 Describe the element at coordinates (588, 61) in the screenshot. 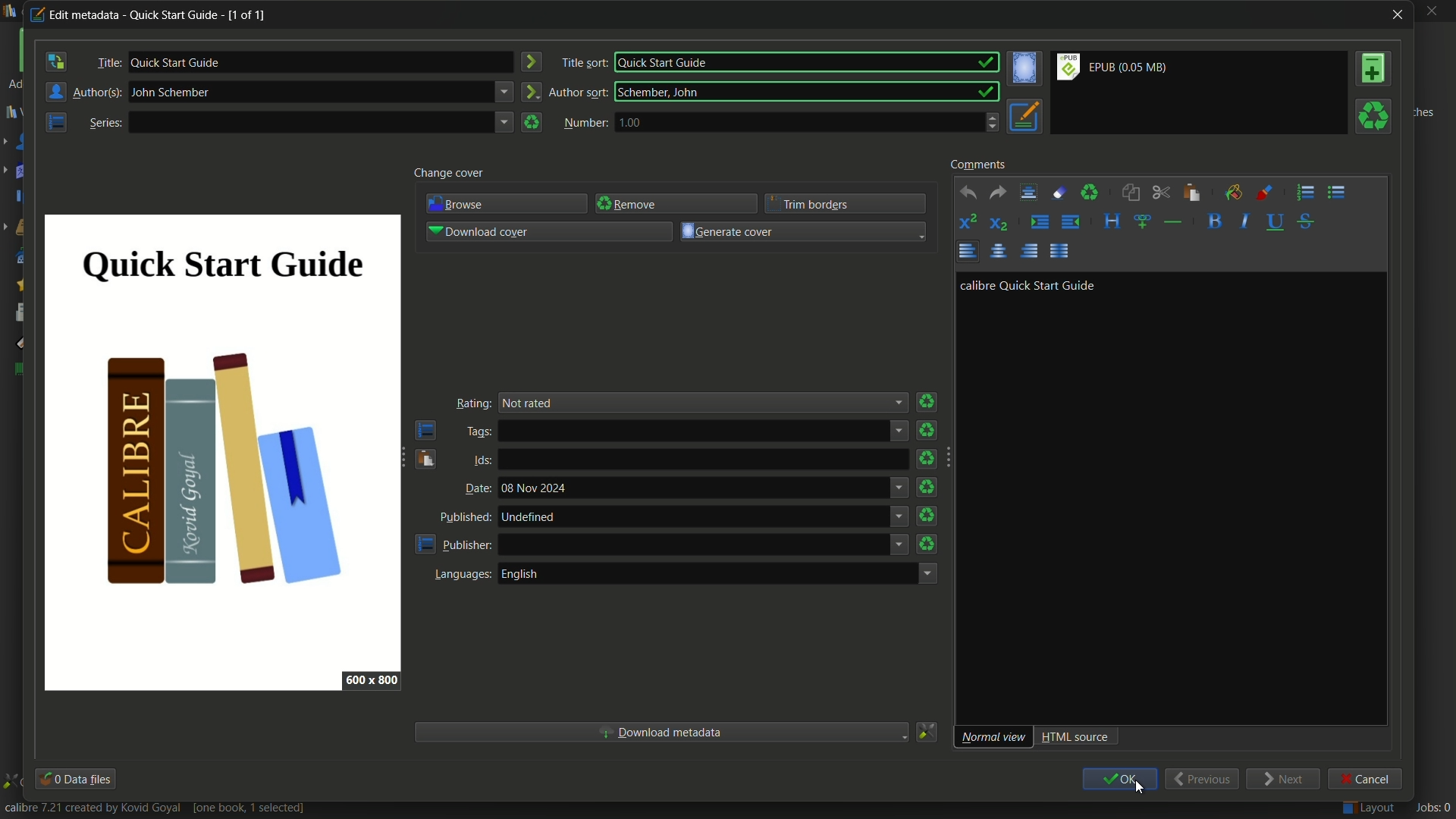

I see `title sort` at that location.